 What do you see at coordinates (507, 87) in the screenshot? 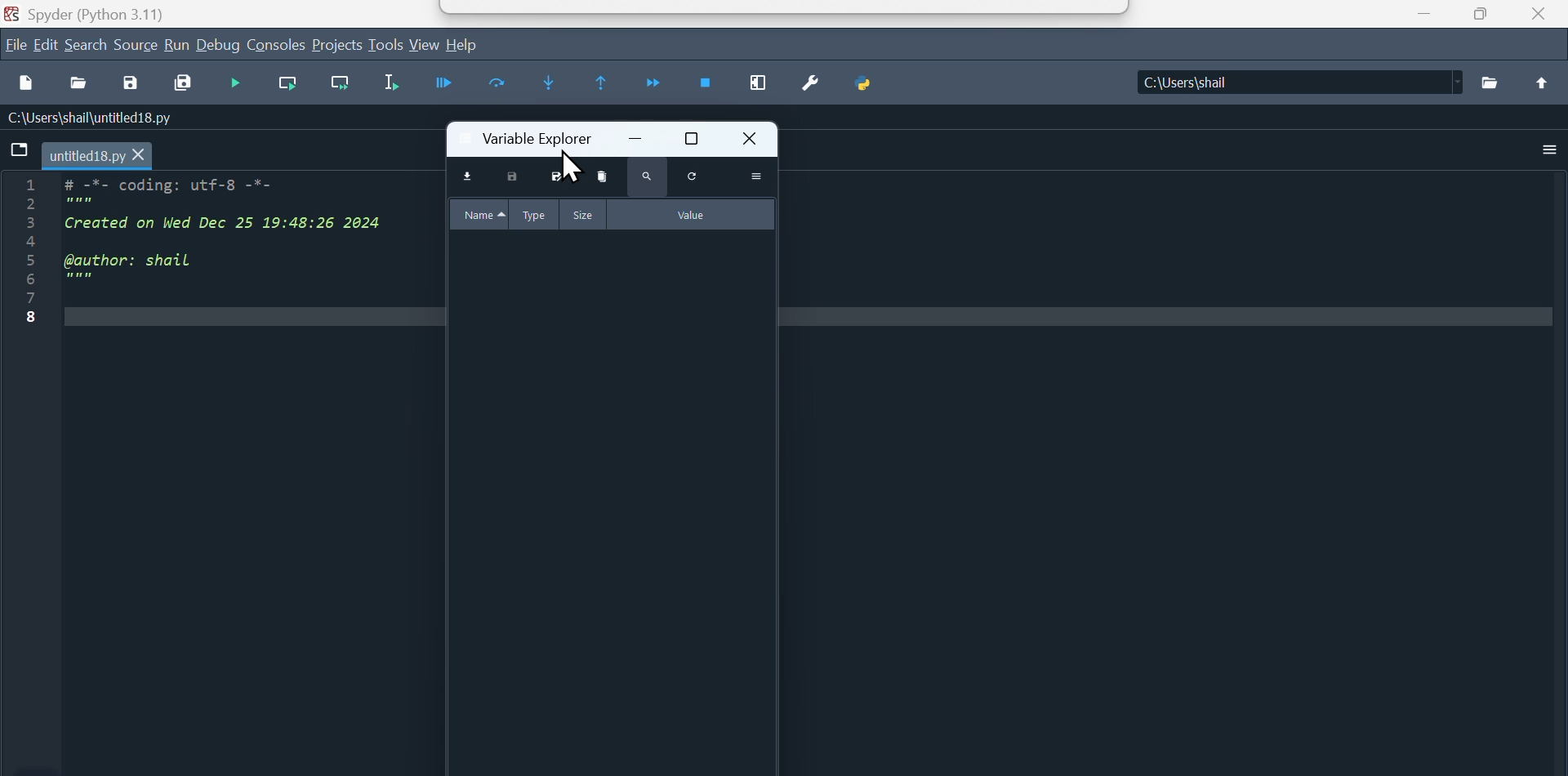
I see `Run Current Line` at bounding box center [507, 87].